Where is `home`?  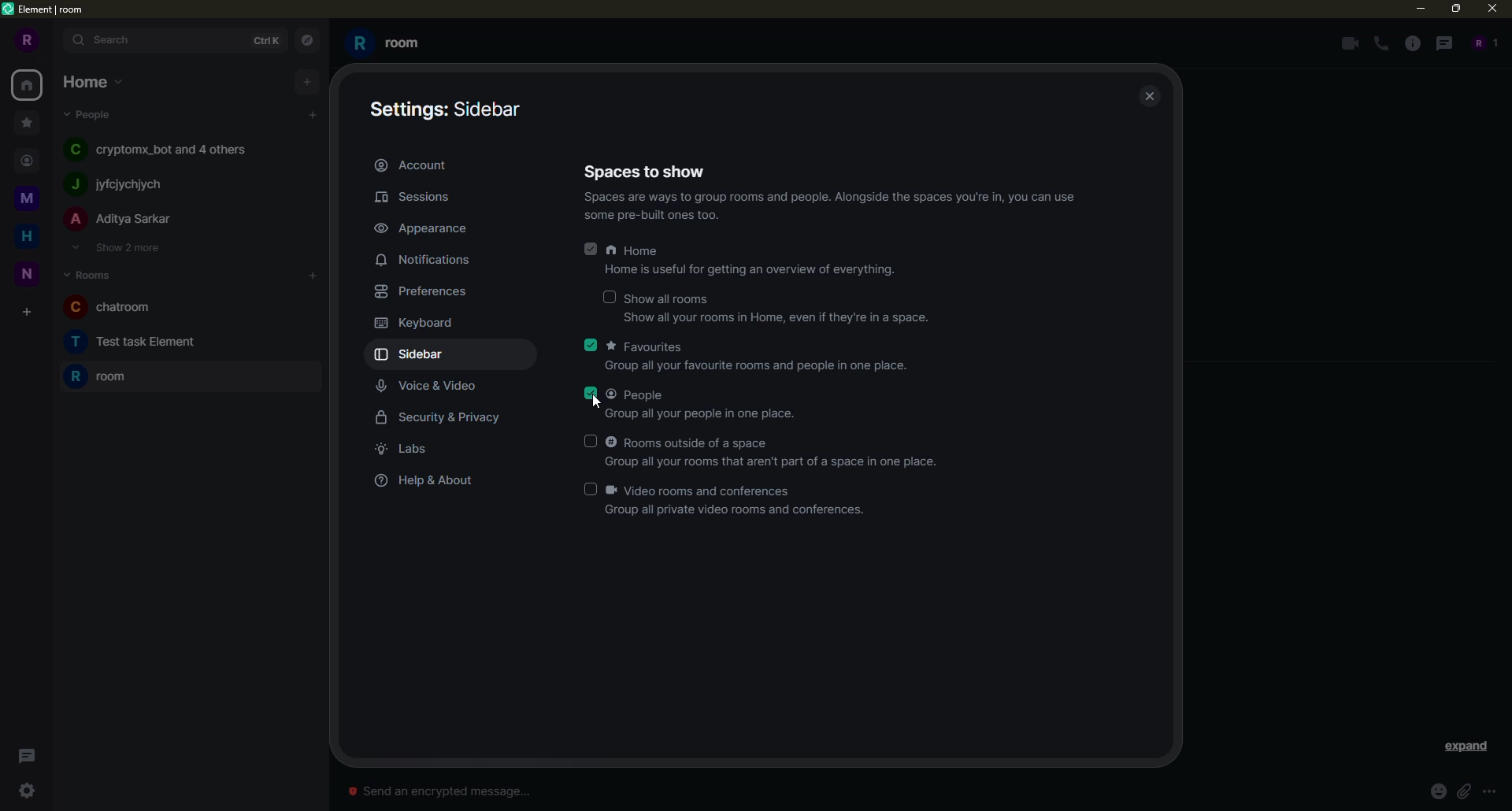 home is located at coordinates (91, 81).